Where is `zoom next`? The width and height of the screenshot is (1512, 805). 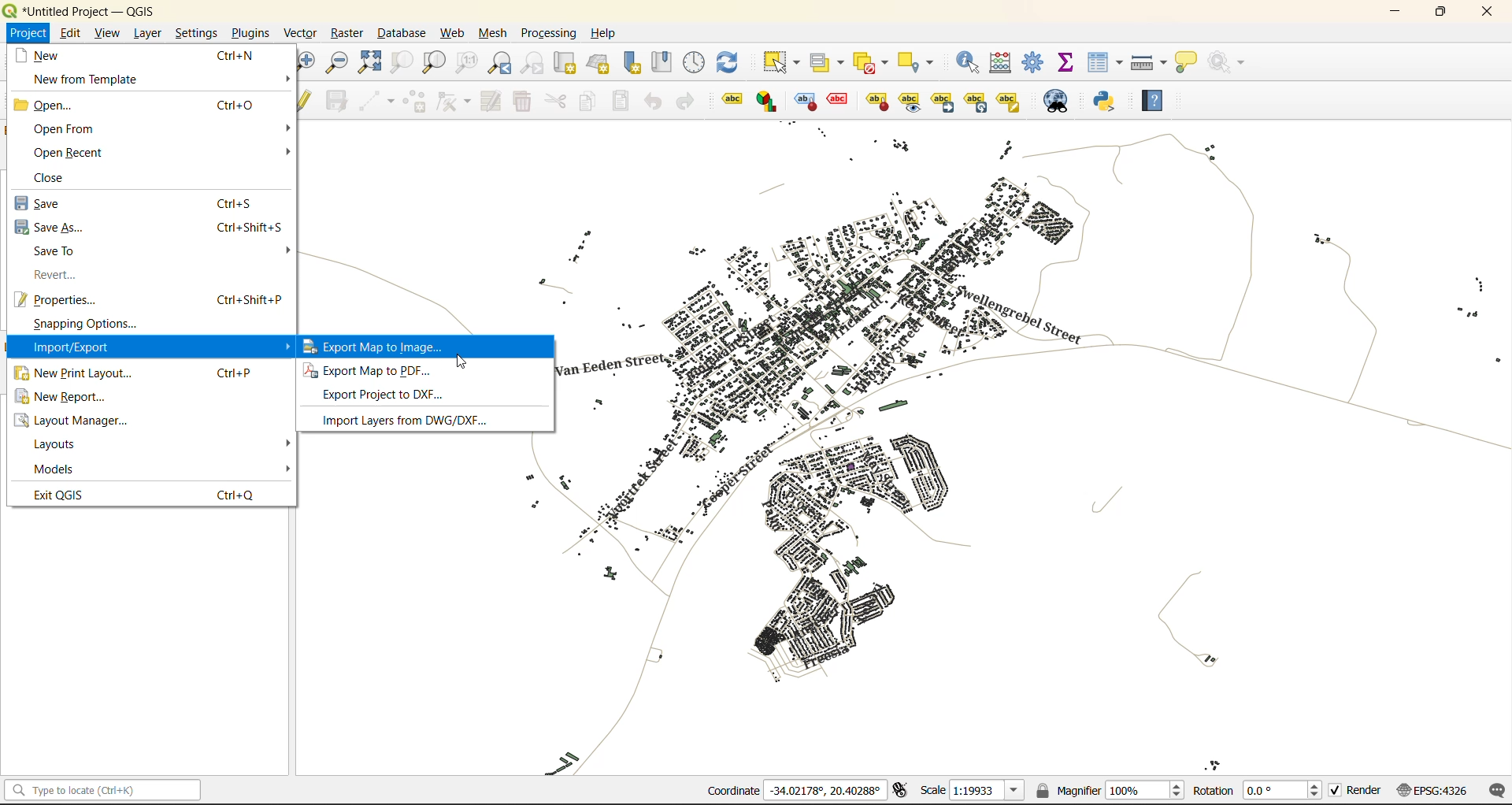 zoom next is located at coordinates (533, 62).